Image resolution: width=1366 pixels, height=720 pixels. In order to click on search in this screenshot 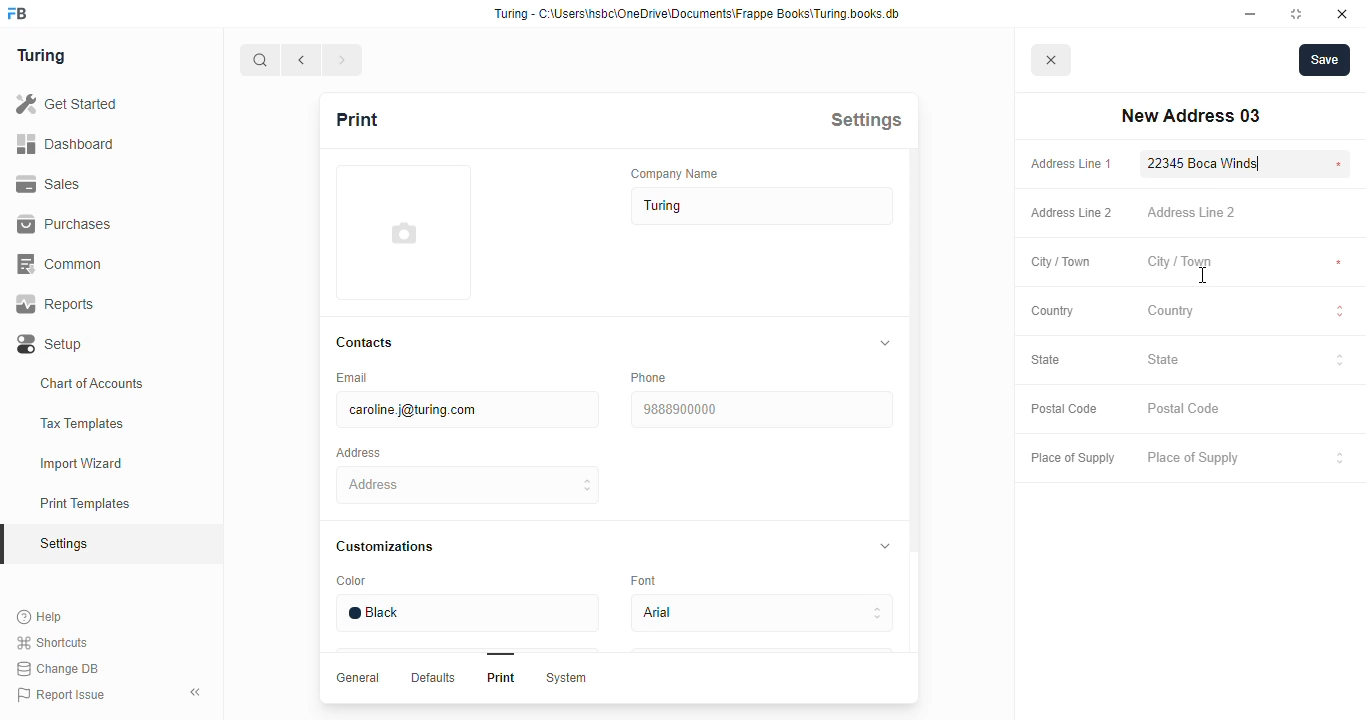, I will do `click(260, 60)`.